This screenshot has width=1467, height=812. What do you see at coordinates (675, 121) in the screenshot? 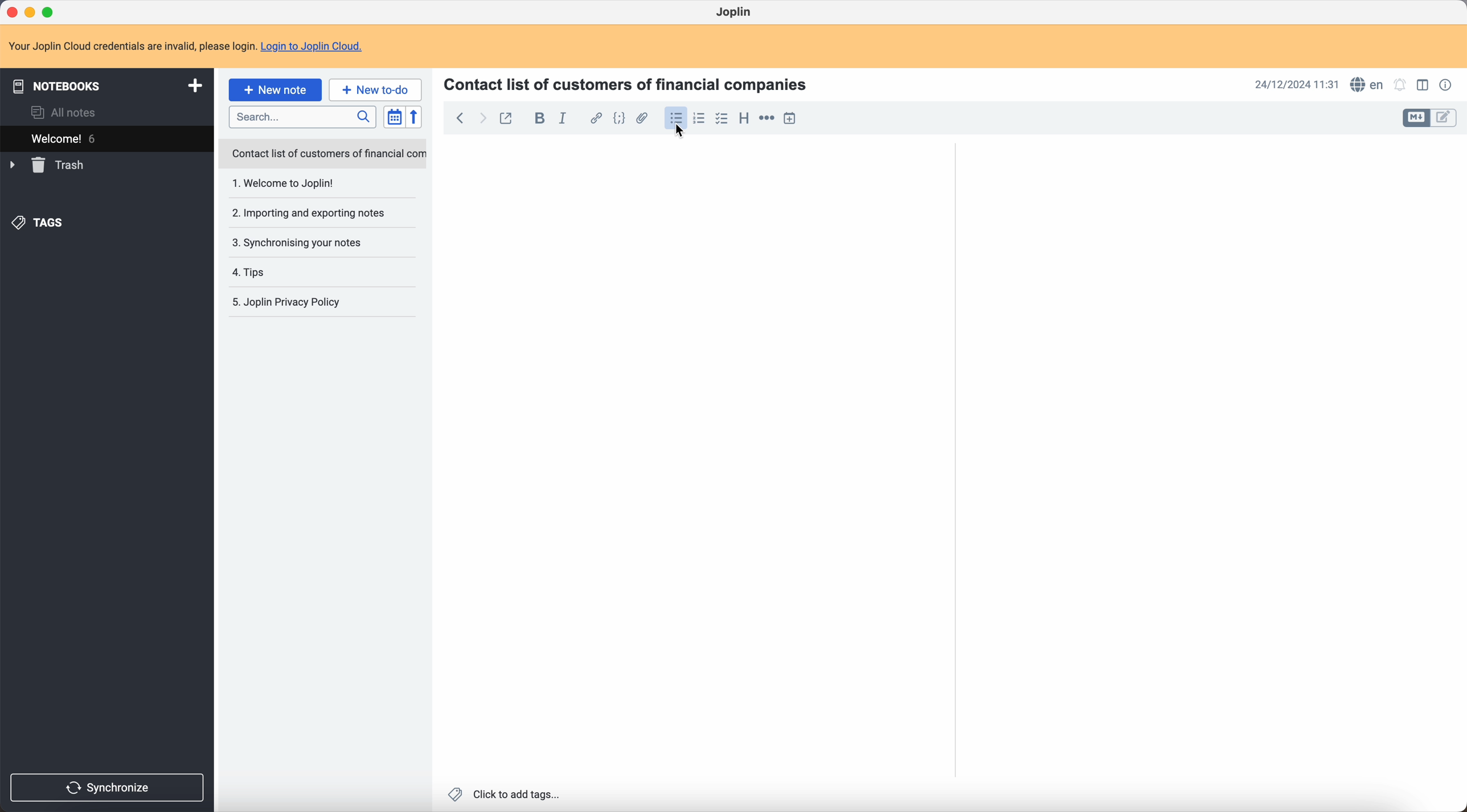
I see `click on bulleted list` at bounding box center [675, 121].